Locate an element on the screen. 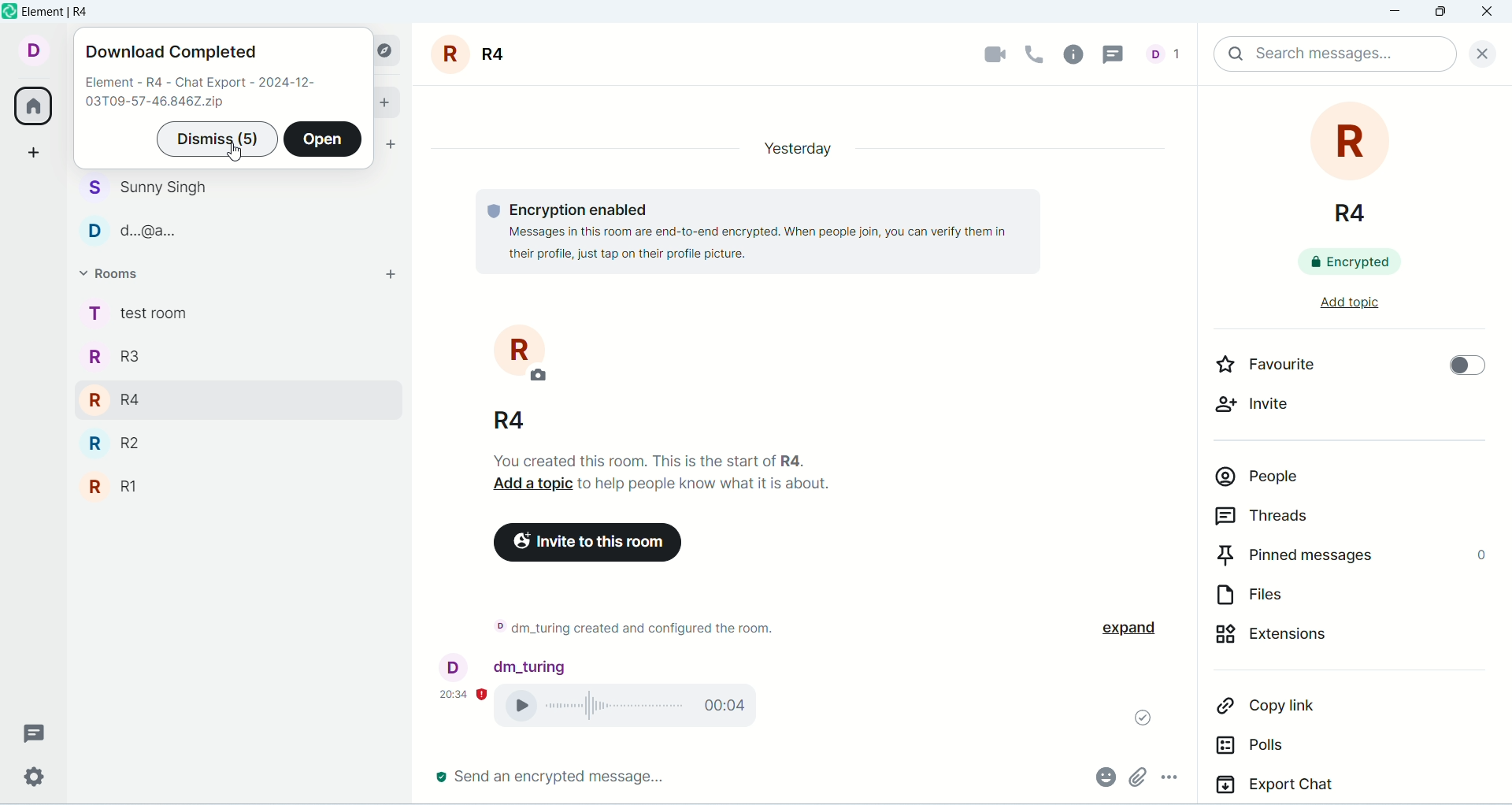 This screenshot has height=805, width=1512. download completed is located at coordinates (171, 54).